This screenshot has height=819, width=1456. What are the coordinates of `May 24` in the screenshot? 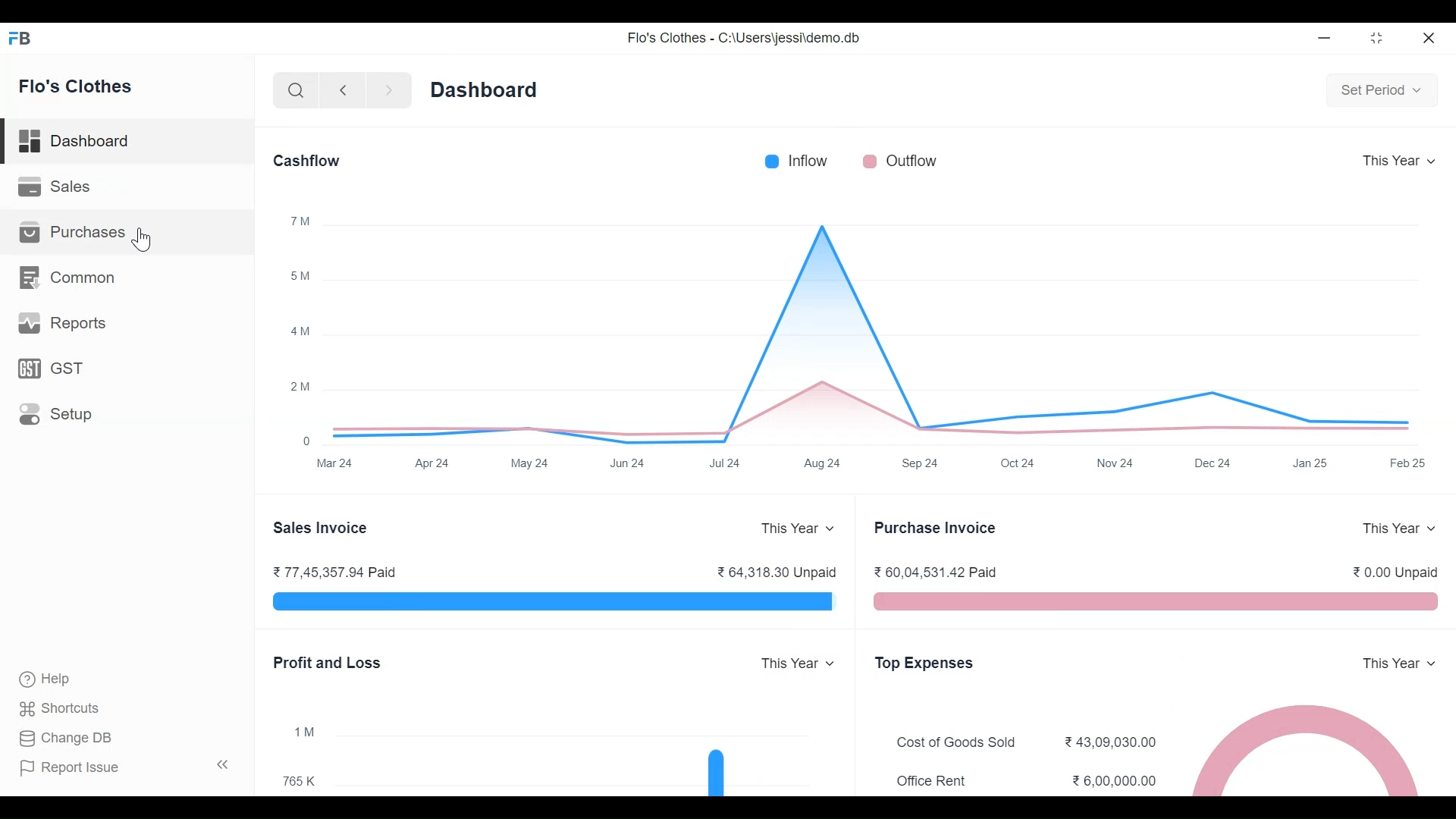 It's located at (530, 462).